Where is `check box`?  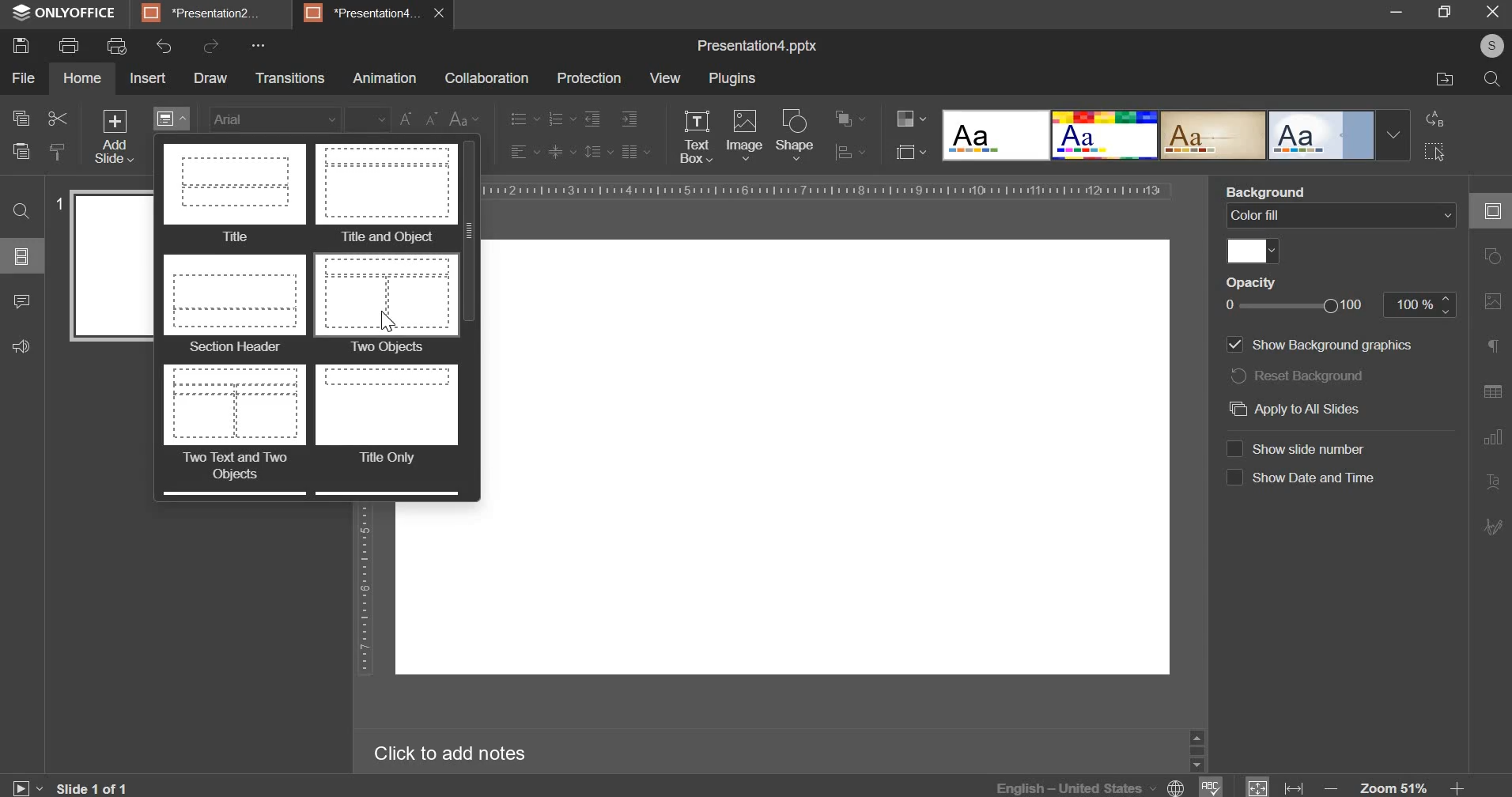
check box is located at coordinates (1233, 448).